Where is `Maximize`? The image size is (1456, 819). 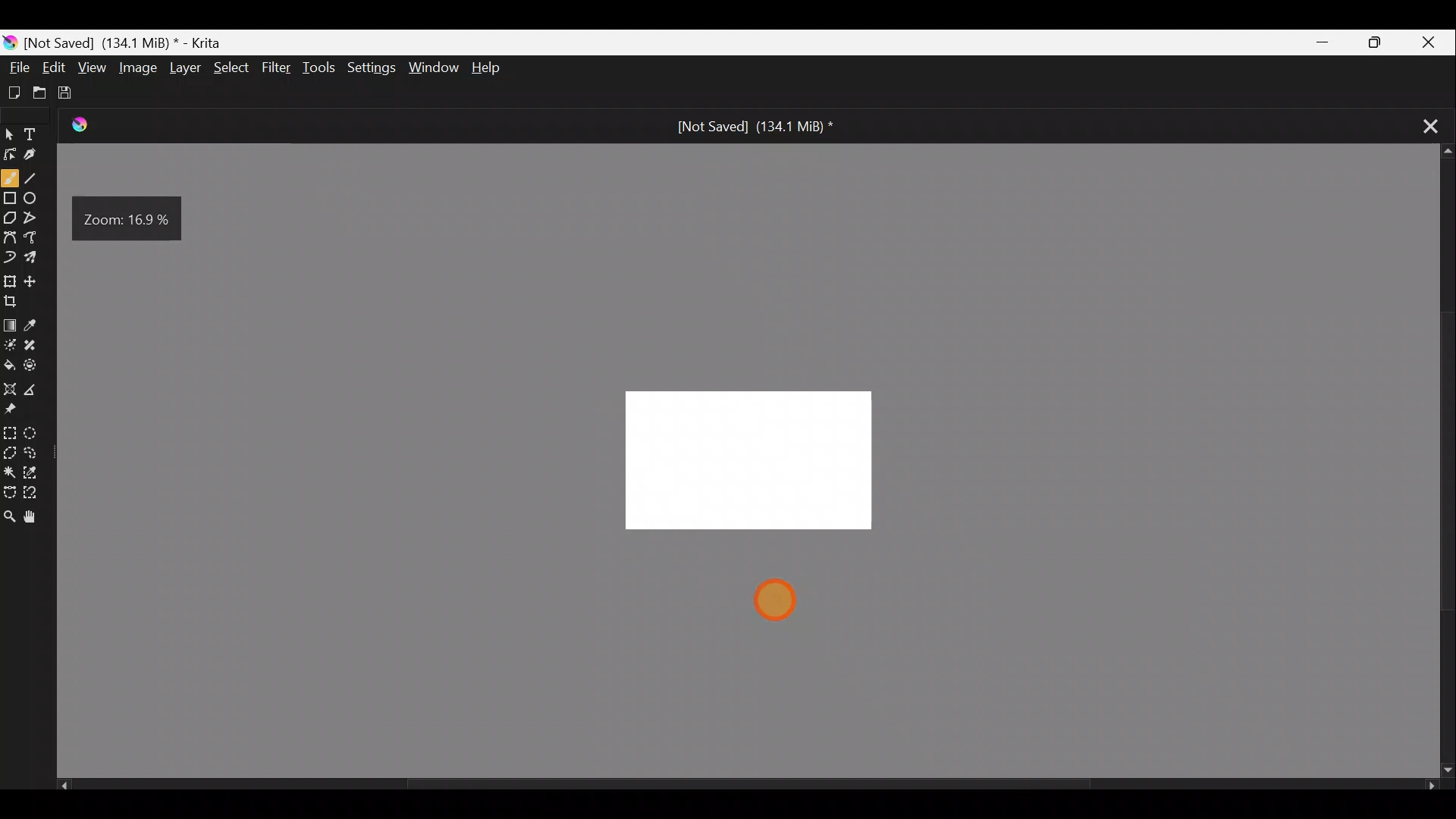 Maximize is located at coordinates (1370, 41).